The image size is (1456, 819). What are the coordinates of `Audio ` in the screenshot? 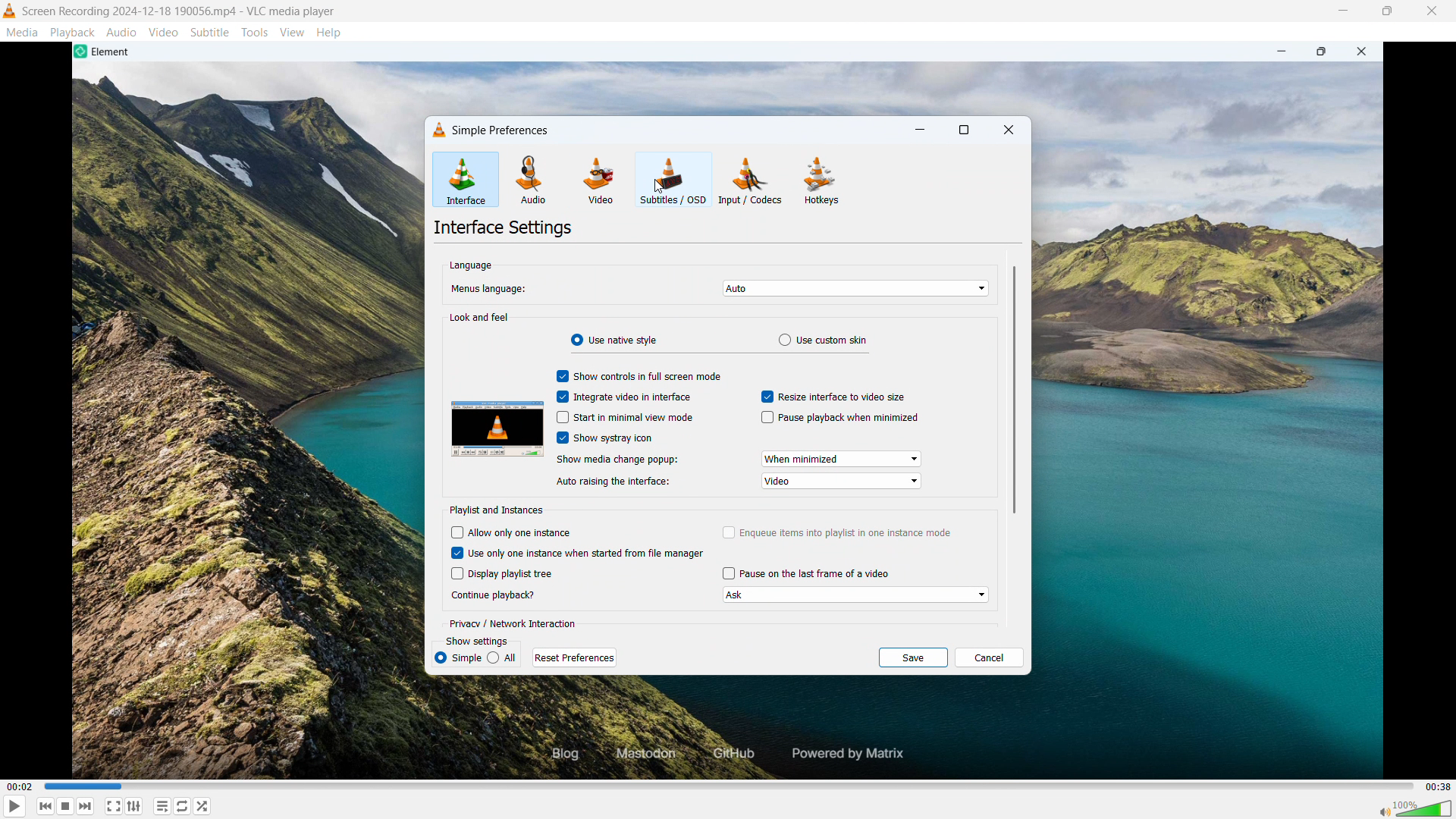 It's located at (122, 32).